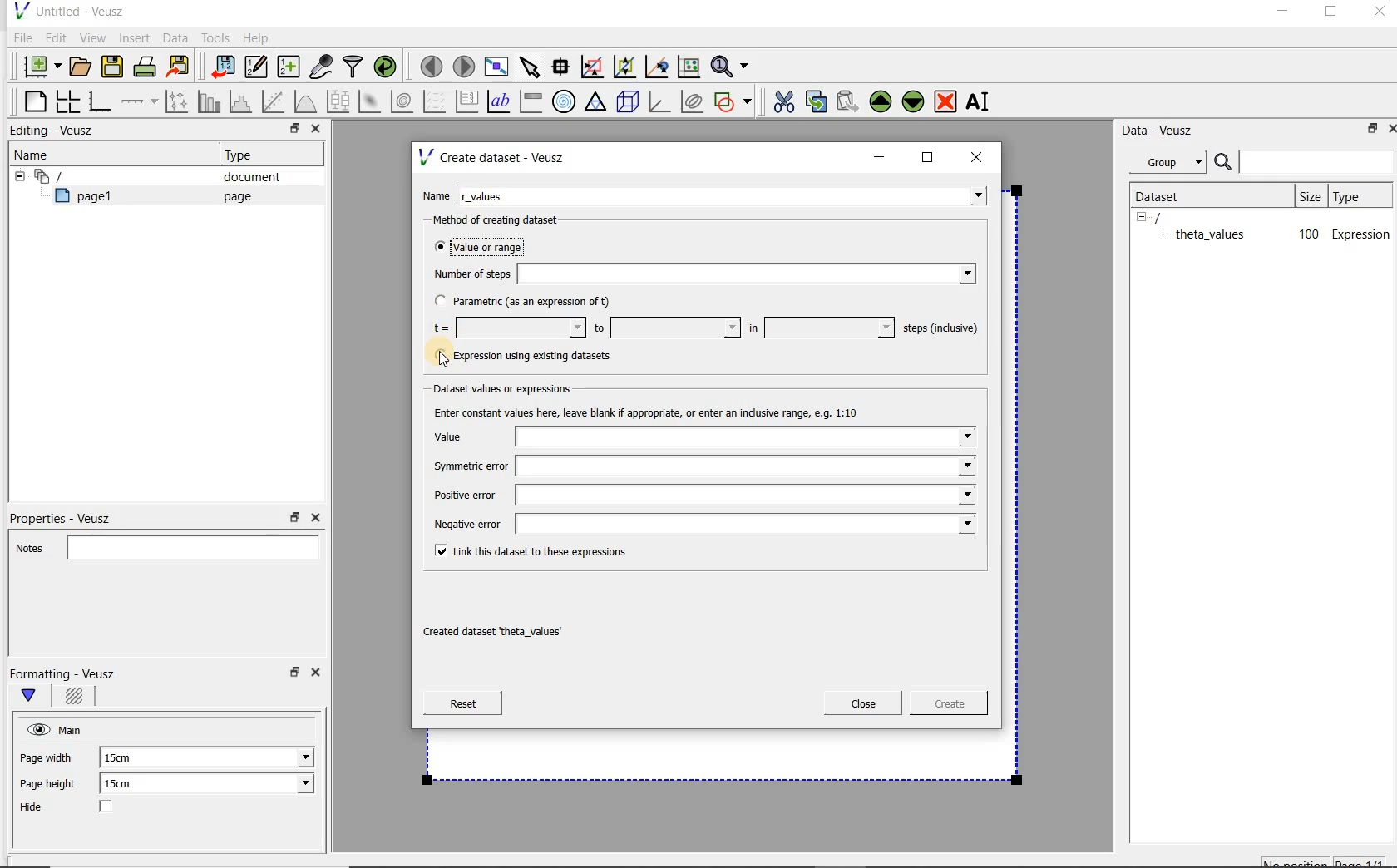  I want to click on Negative error , so click(700, 525).